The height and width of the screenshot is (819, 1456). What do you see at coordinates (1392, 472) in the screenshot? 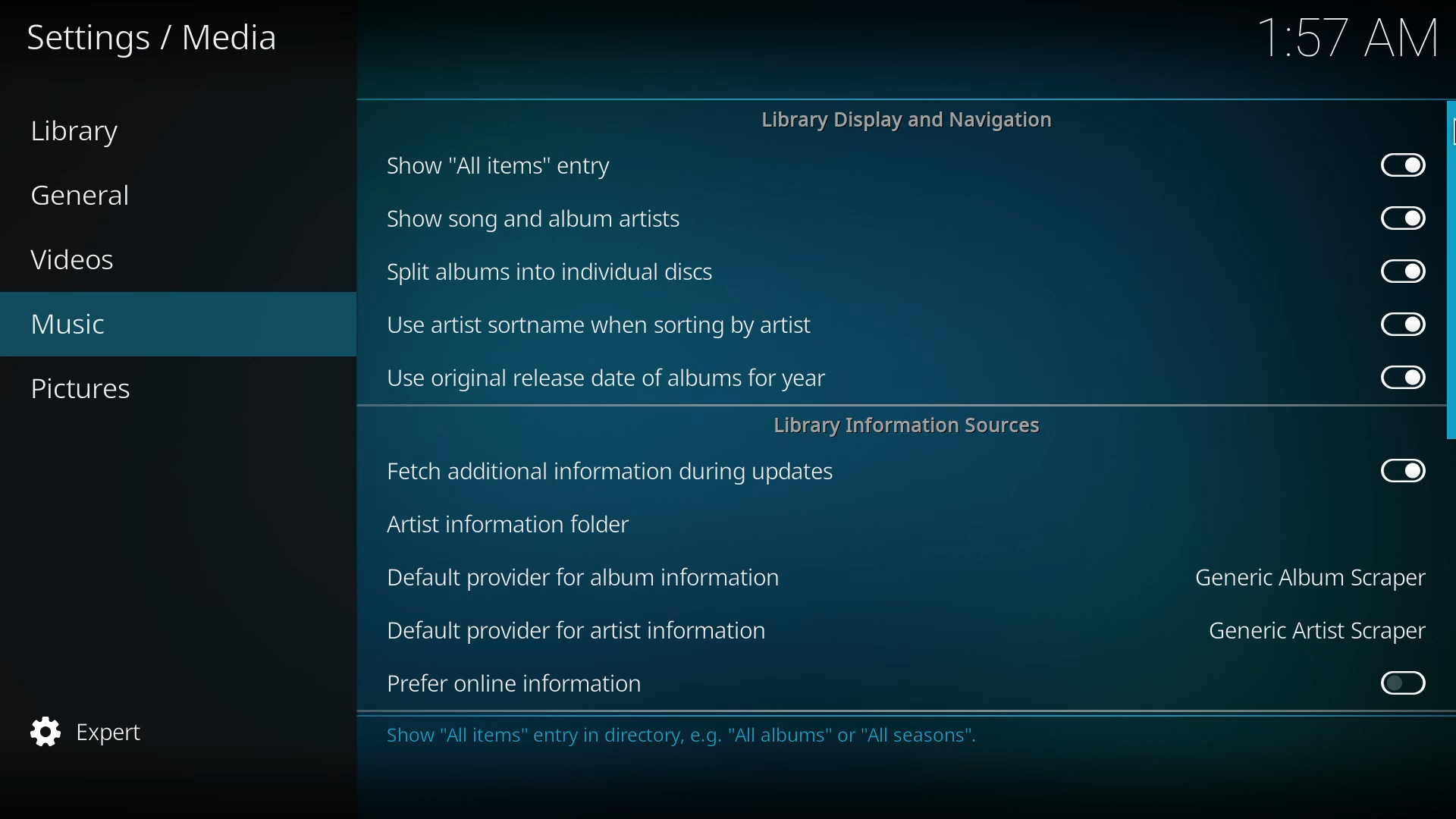
I see `enabled` at bounding box center [1392, 472].